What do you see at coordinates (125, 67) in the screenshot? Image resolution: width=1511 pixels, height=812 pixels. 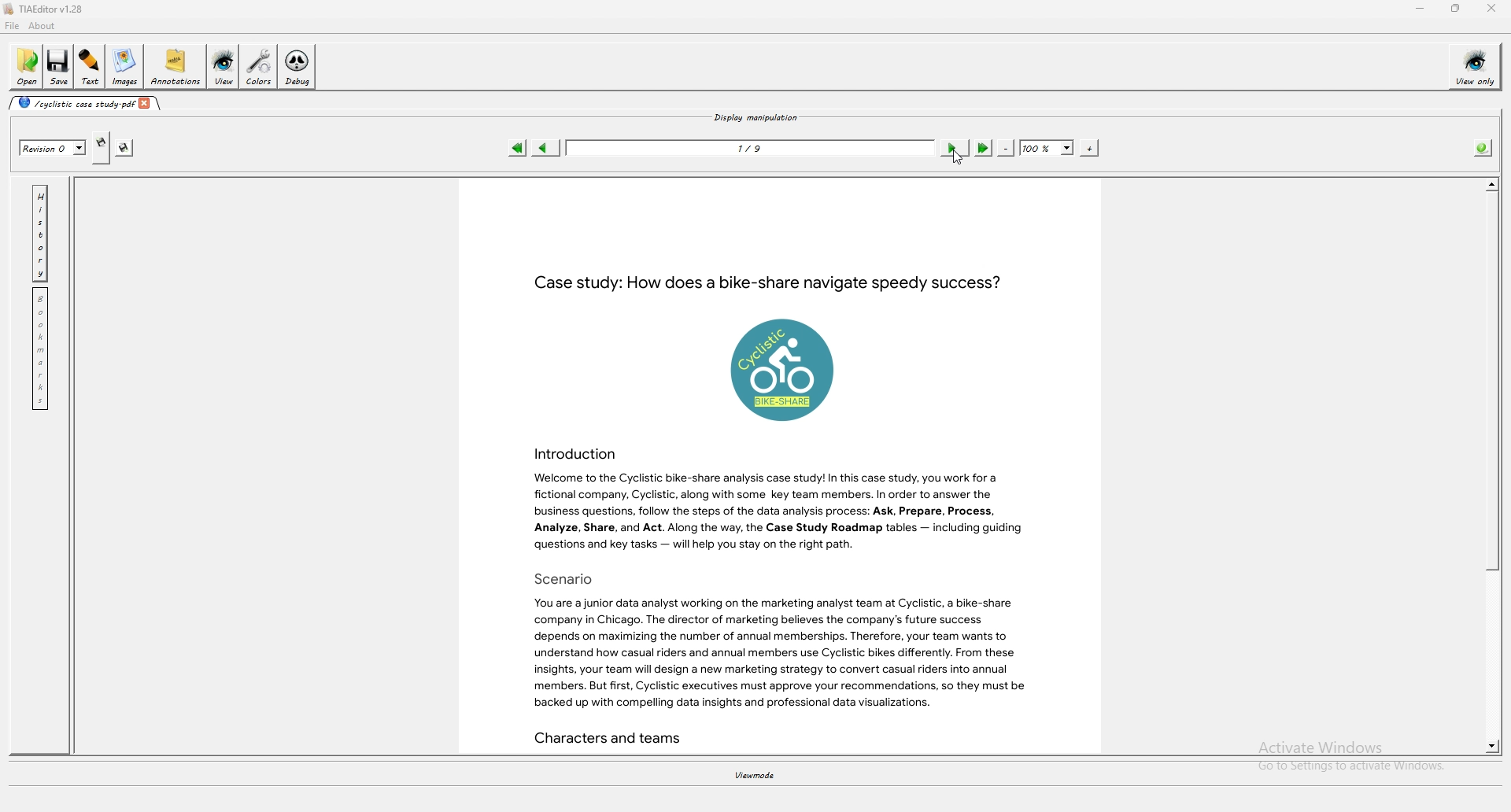 I see `images` at bounding box center [125, 67].